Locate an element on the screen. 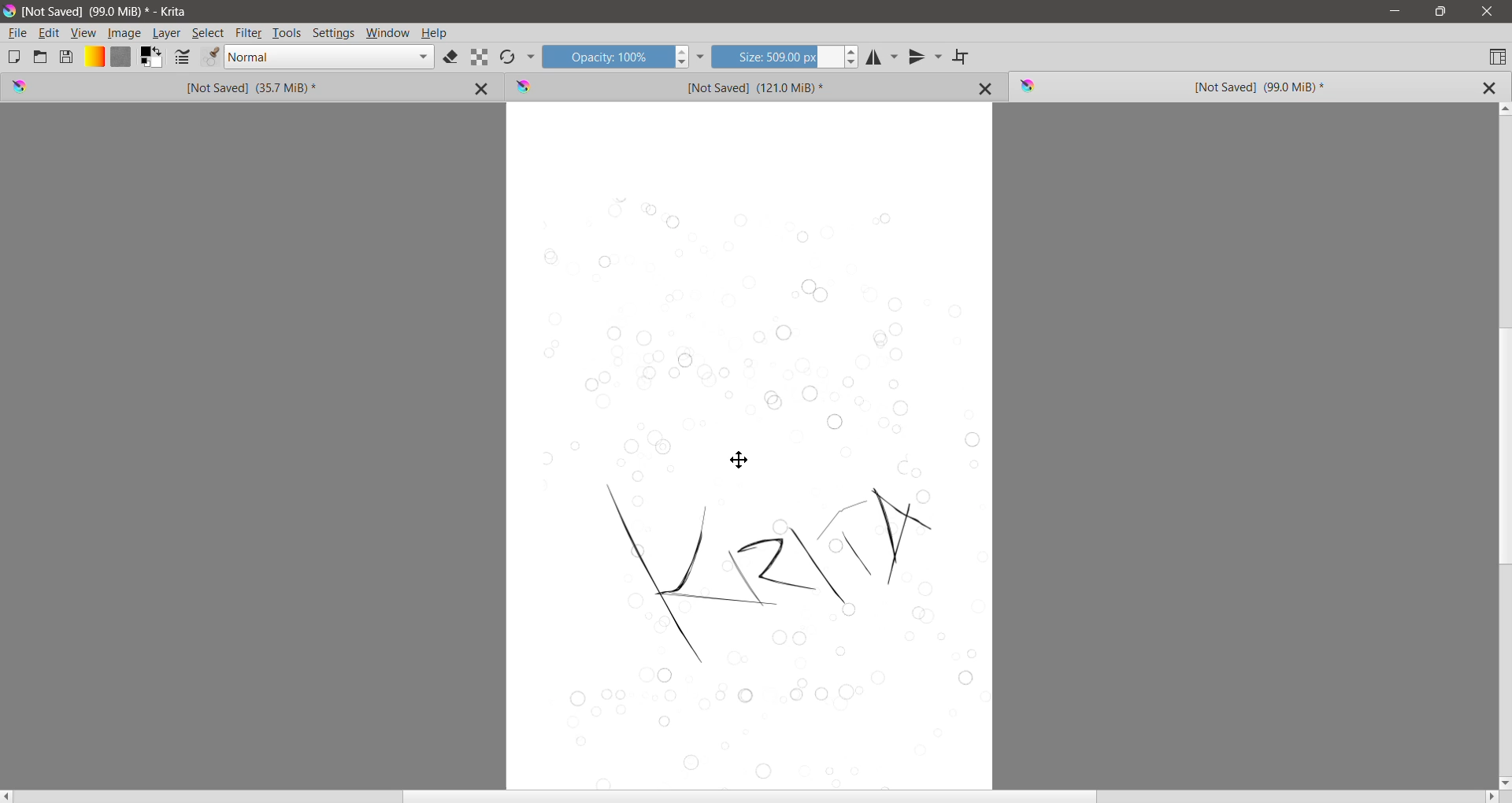  Vertical Mirror Tool is located at coordinates (925, 57).